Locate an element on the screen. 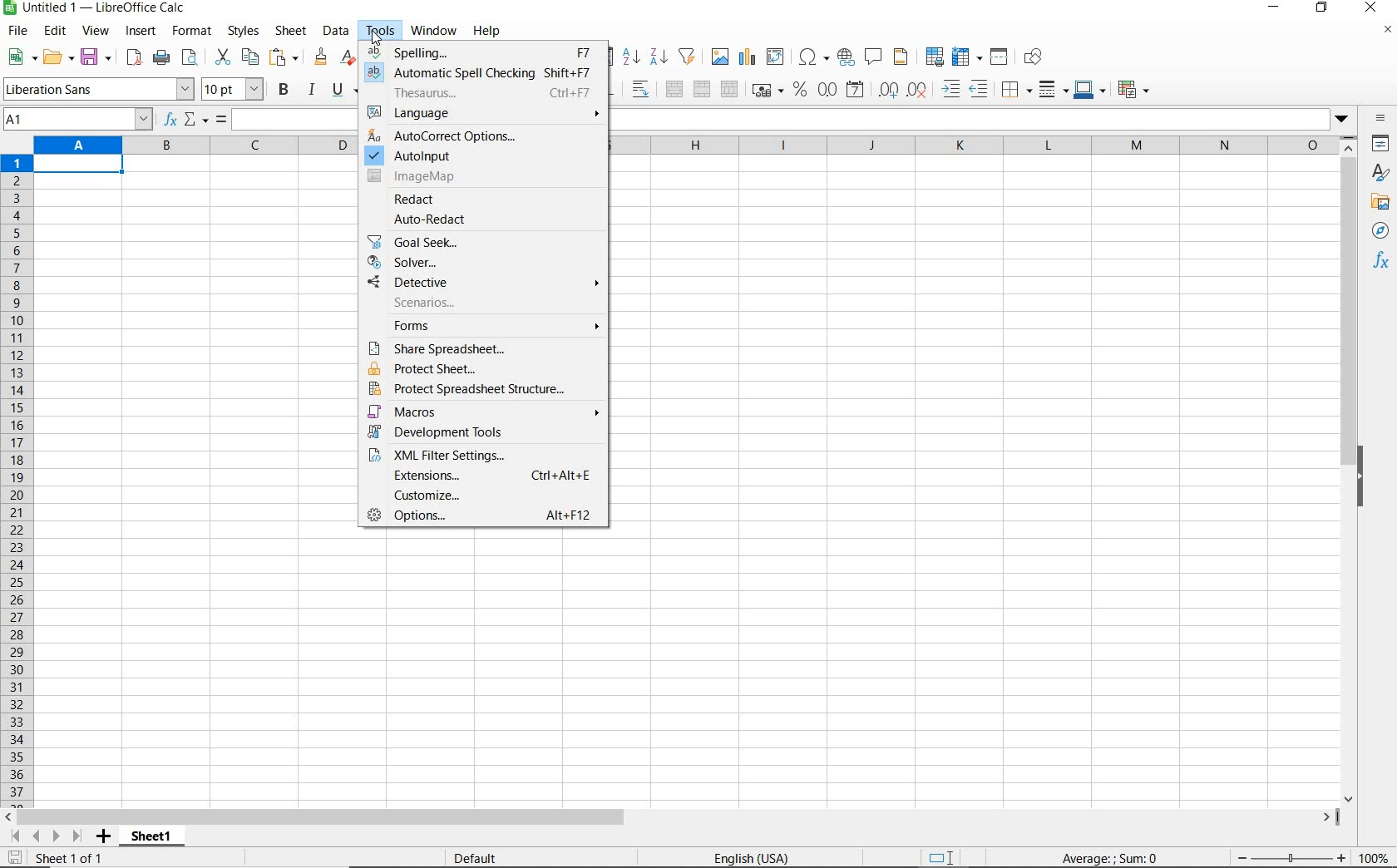 The image size is (1397, 868). copy is located at coordinates (248, 57).